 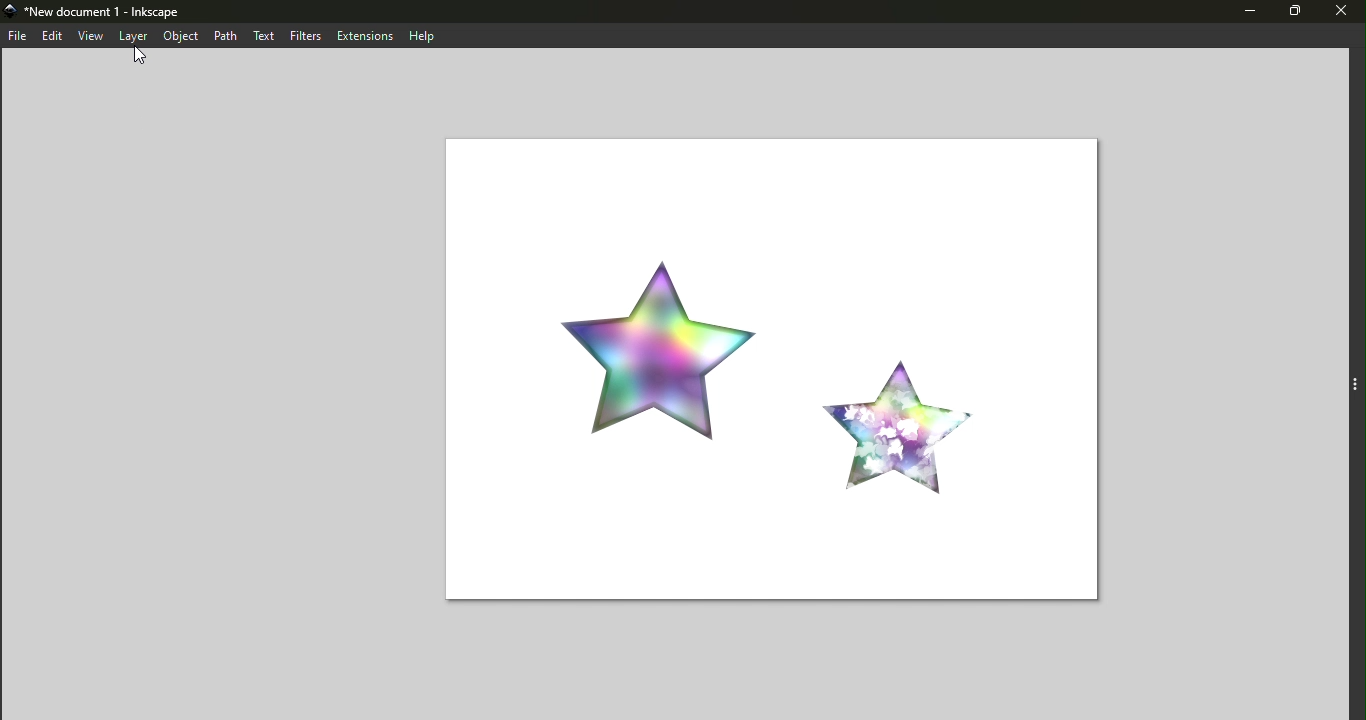 I want to click on canvas, so click(x=766, y=372).